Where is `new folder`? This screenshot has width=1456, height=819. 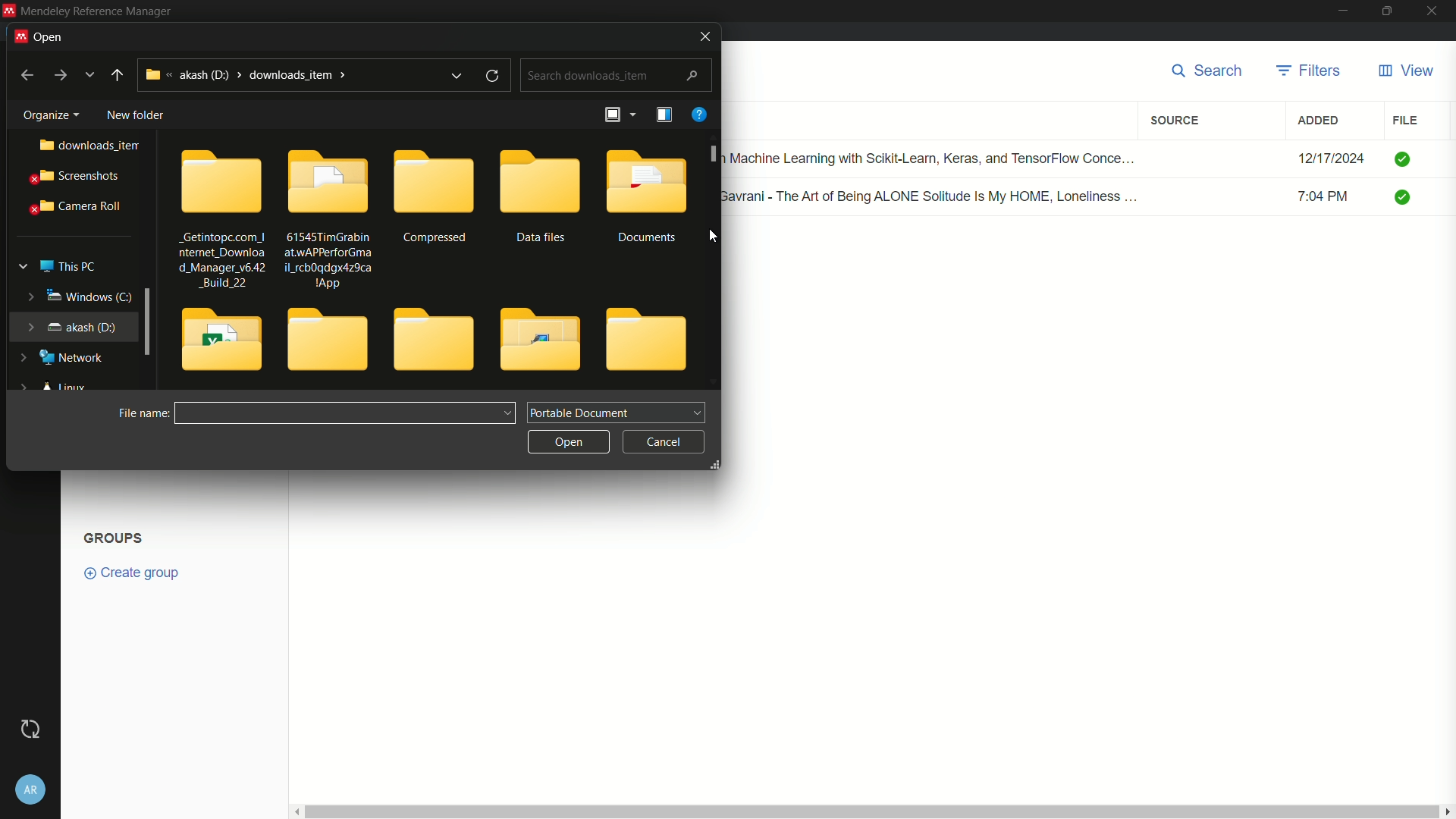 new folder is located at coordinates (134, 111).